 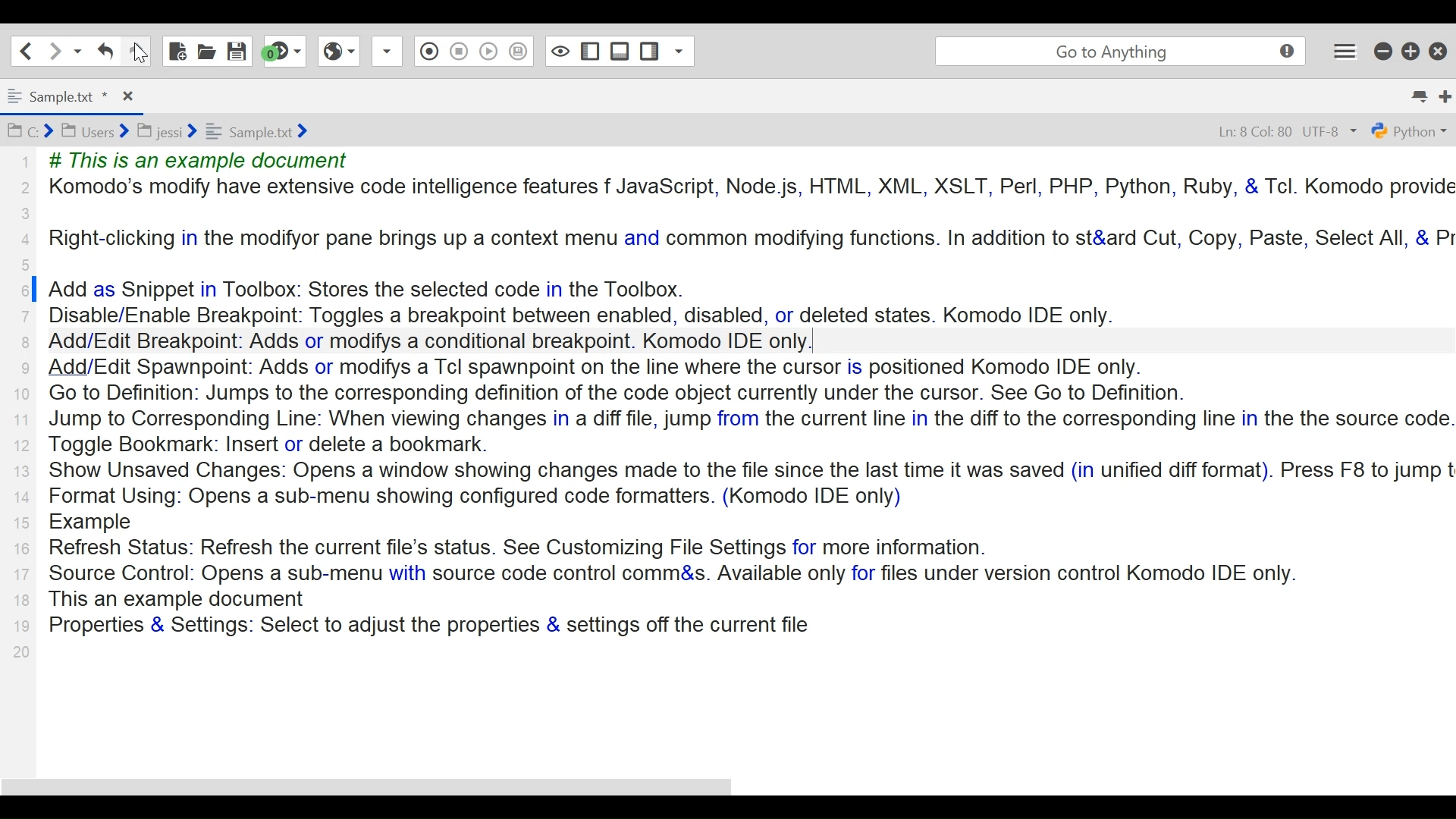 I want to click on Cursor, so click(x=140, y=52).